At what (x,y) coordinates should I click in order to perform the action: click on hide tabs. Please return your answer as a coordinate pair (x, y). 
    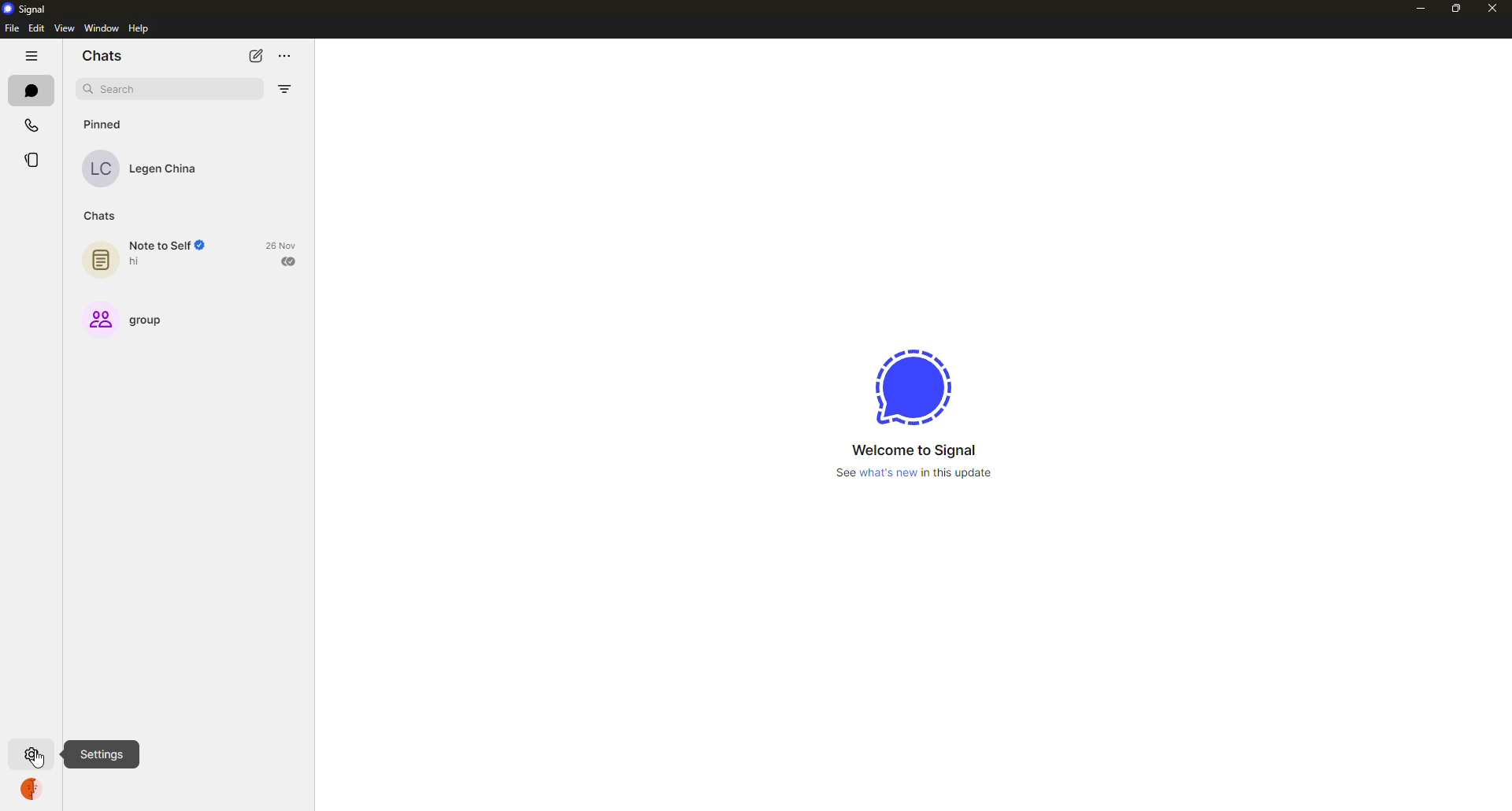
    Looking at the image, I should click on (31, 56).